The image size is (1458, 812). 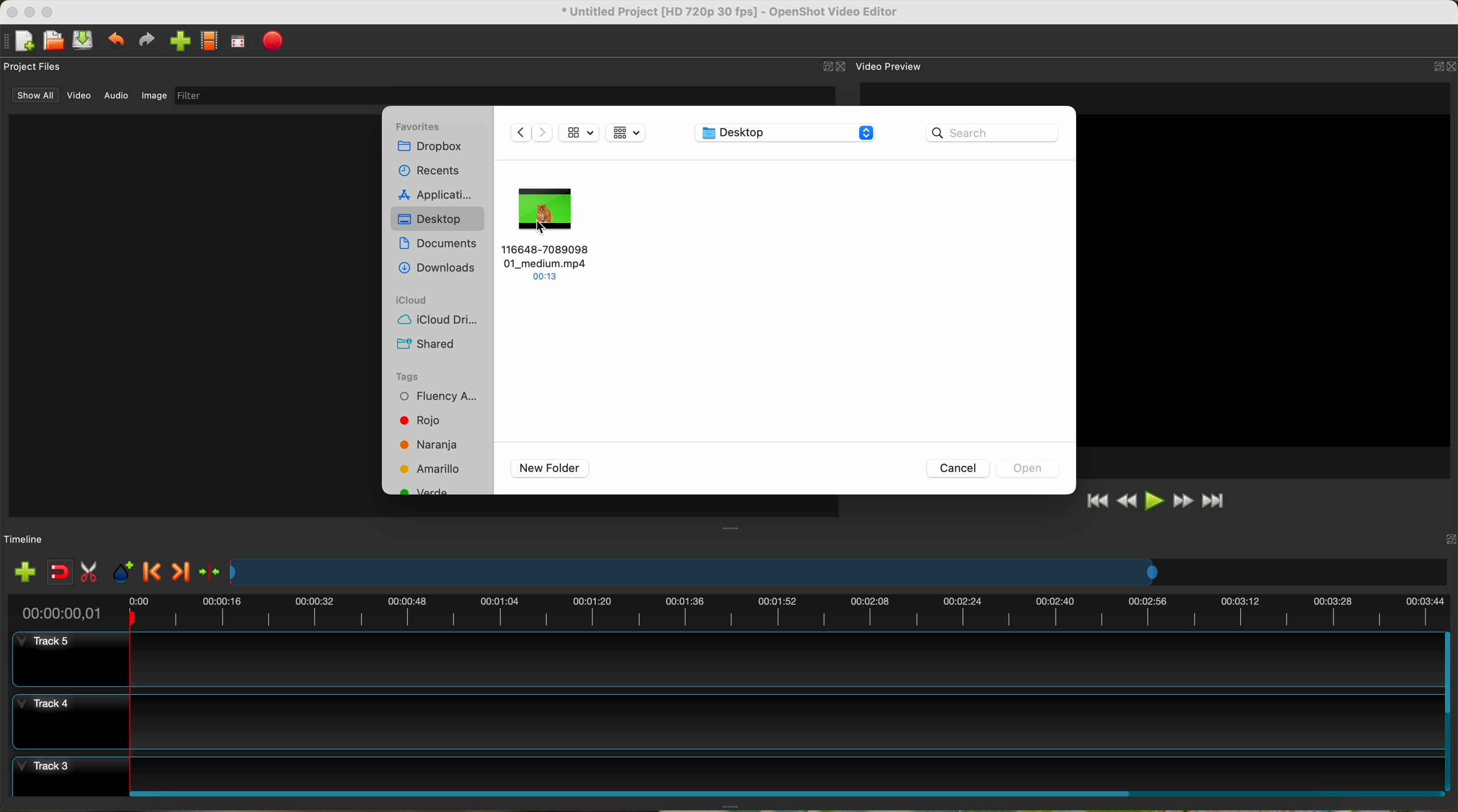 What do you see at coordinates (406, 377) in the screenshot?
I see `tags` at bounding box center [406, 377].